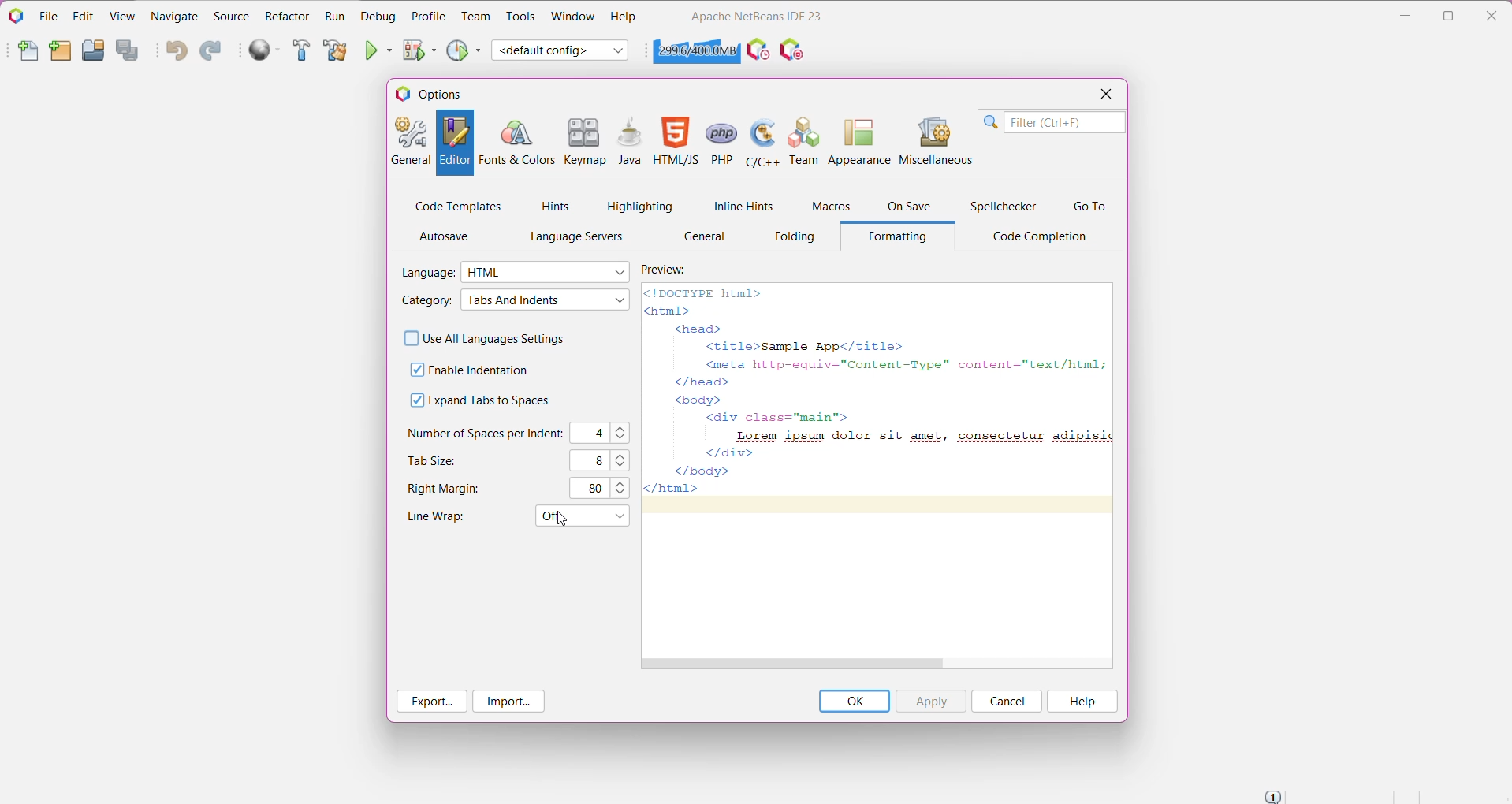 This screenshot has width=1512, height=804. I want to click on 8, so click(594, 460).